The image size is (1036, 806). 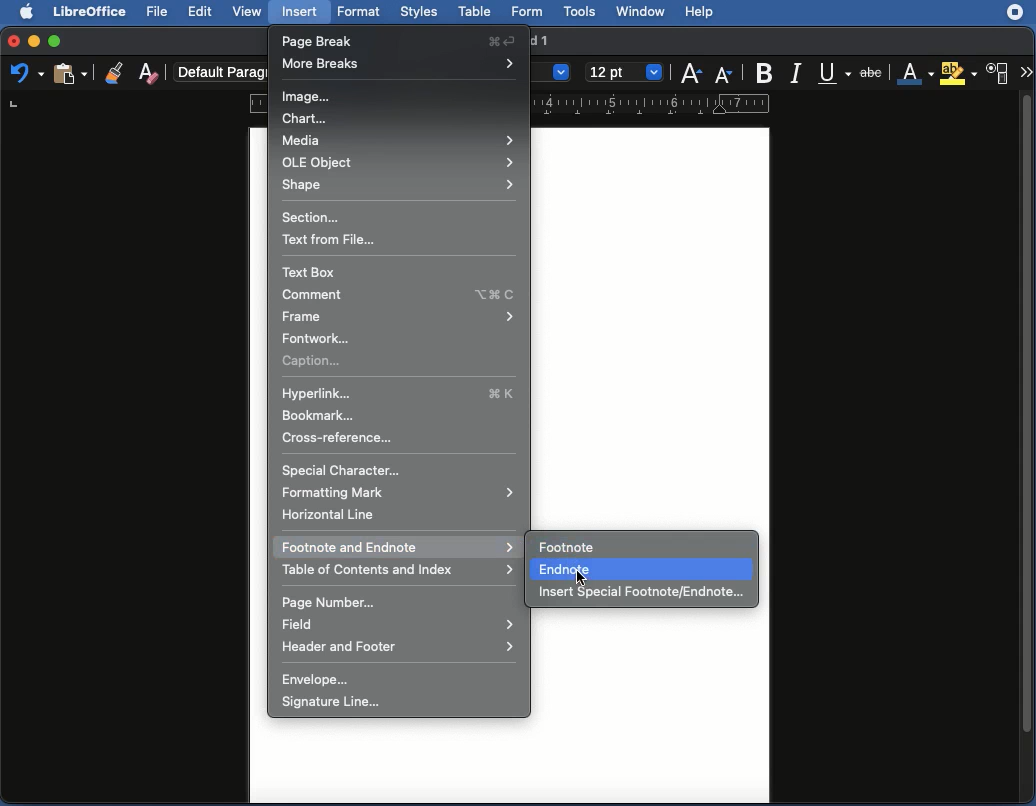 What do you see at coordinates (997, 74) in the screenshot?
I see `Character` at bounding box center [997, 74].